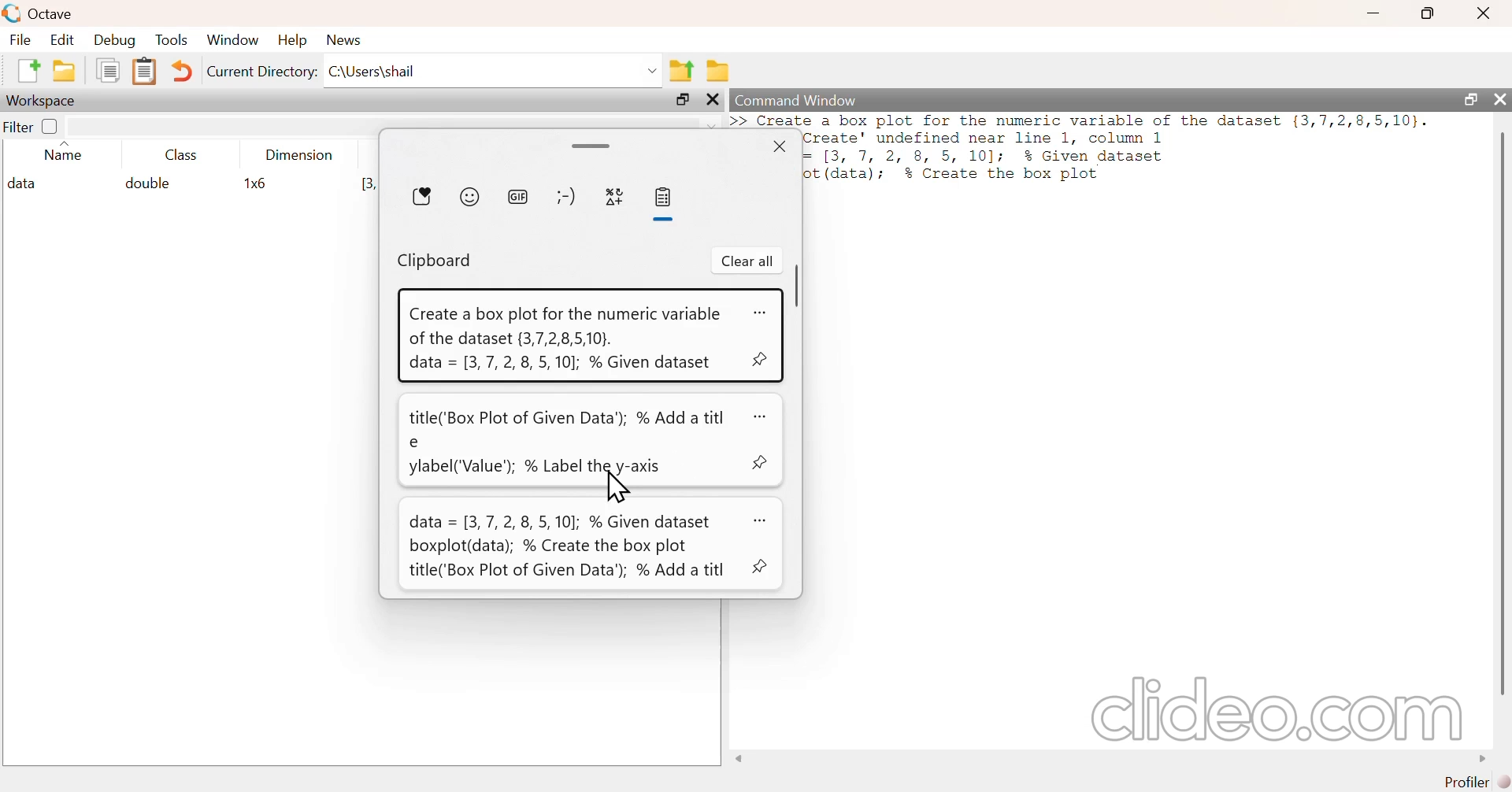  What do you see at coordinates (1488, 13) in the screenshot?
I see `close` at bounding box center [1488, 13].